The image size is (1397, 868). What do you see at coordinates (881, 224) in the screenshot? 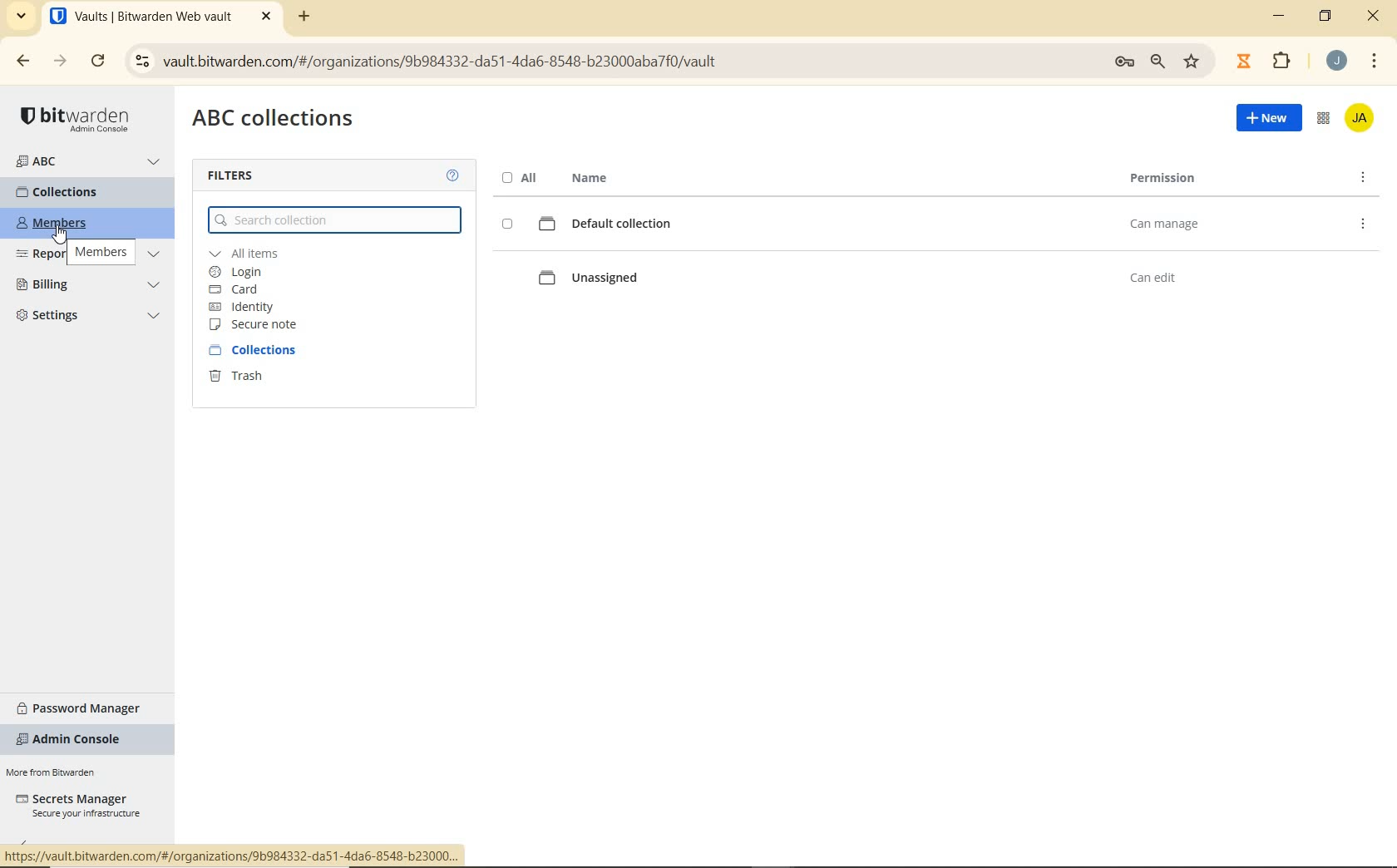
I see `DEFAULT COLLECTION` at bounding box center [881, 224].